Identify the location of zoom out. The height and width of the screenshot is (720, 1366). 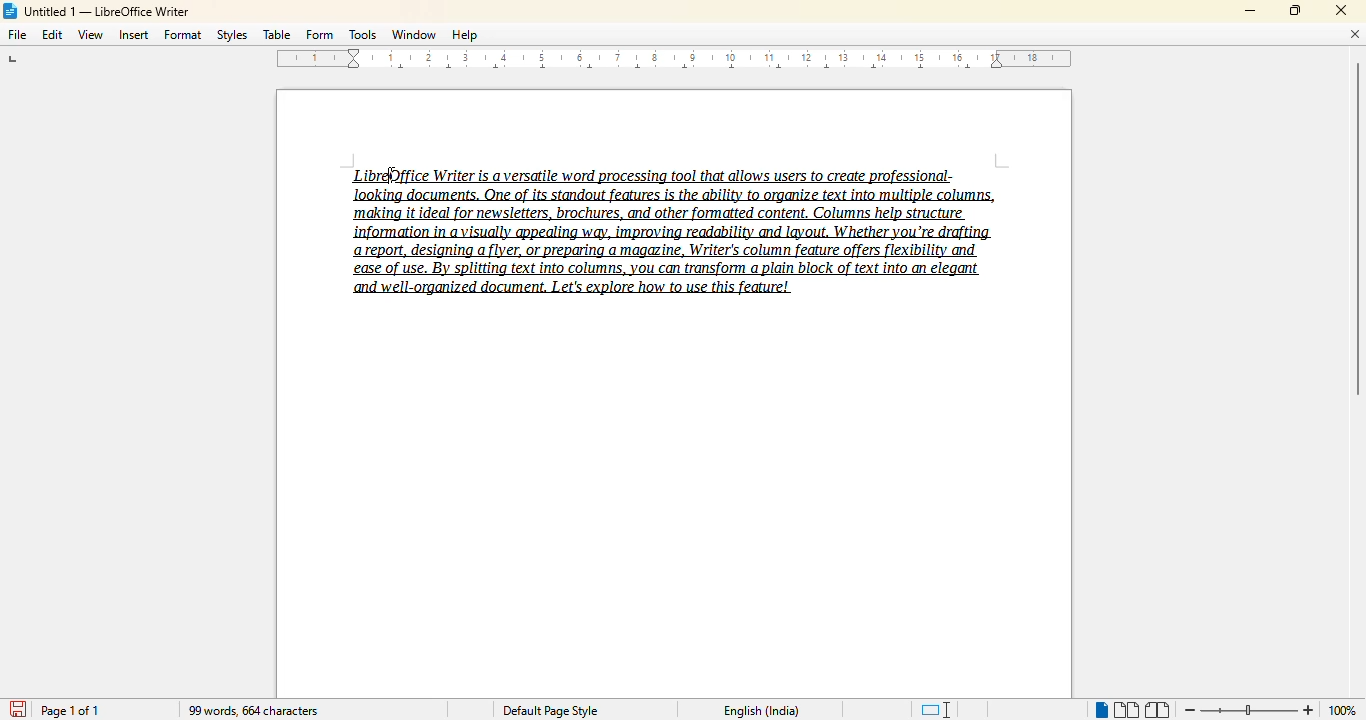
(1188, 709).